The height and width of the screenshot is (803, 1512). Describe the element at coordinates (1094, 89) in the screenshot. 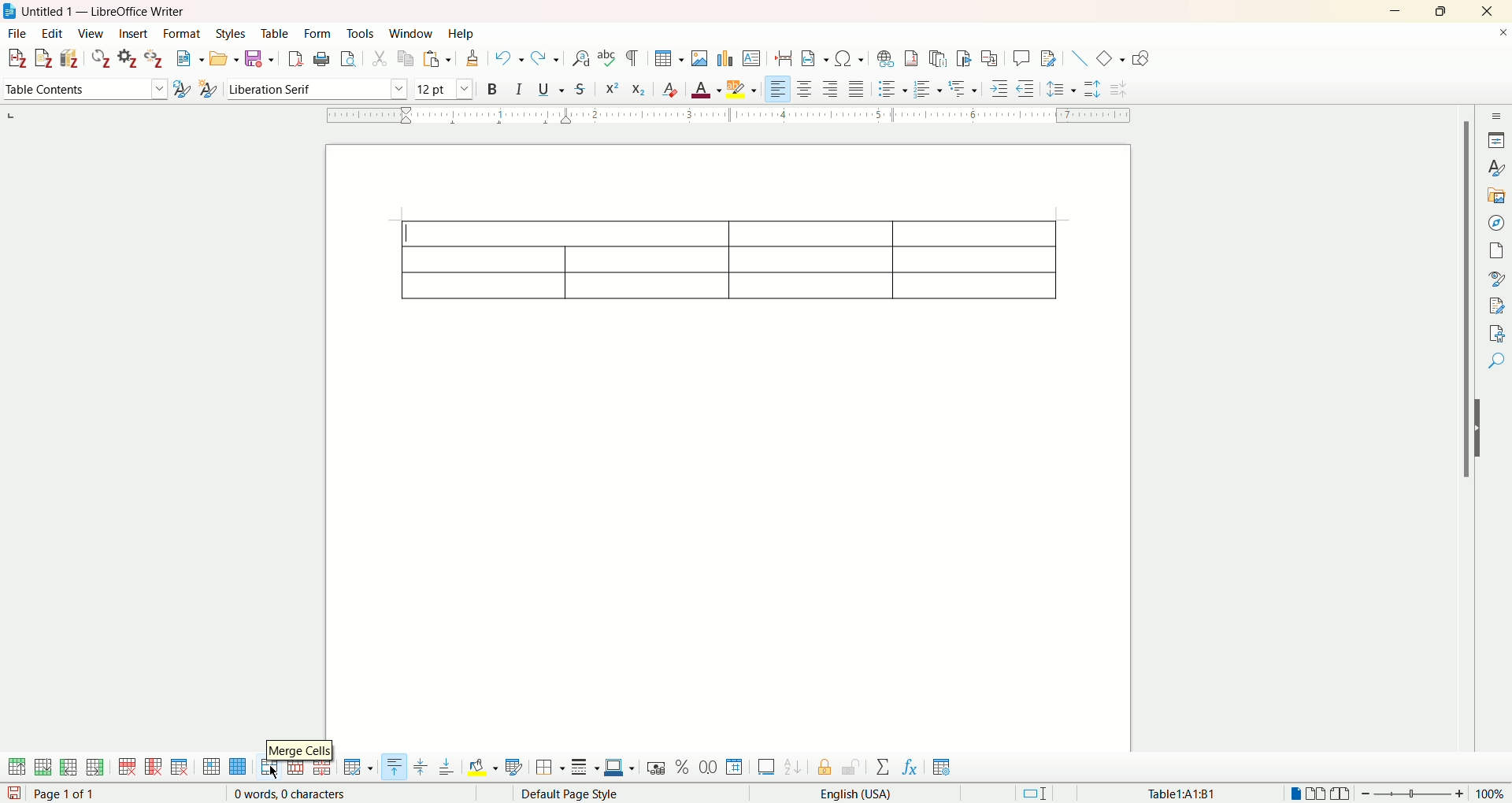

I see `increase paragraph spacing` at that location.